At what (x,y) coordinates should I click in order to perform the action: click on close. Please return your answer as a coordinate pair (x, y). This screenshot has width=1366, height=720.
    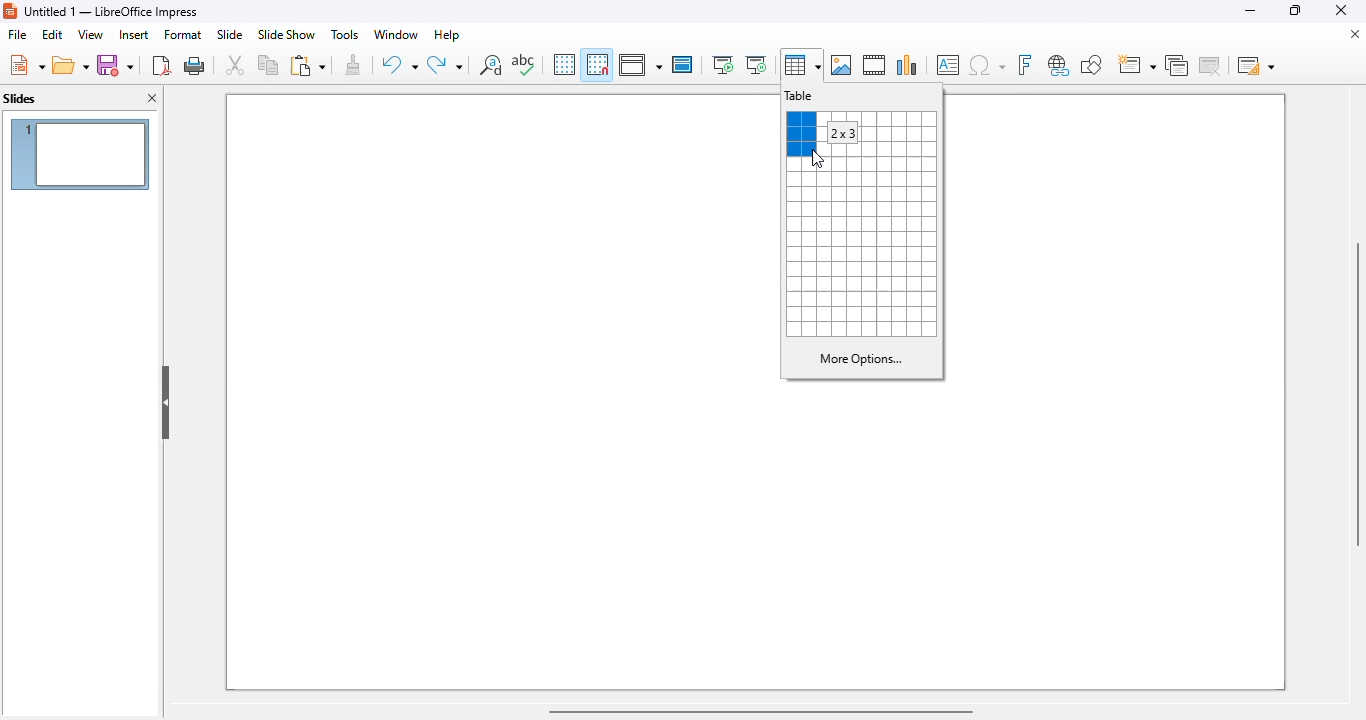
    Looking at the image, I should click on (1340, 9).